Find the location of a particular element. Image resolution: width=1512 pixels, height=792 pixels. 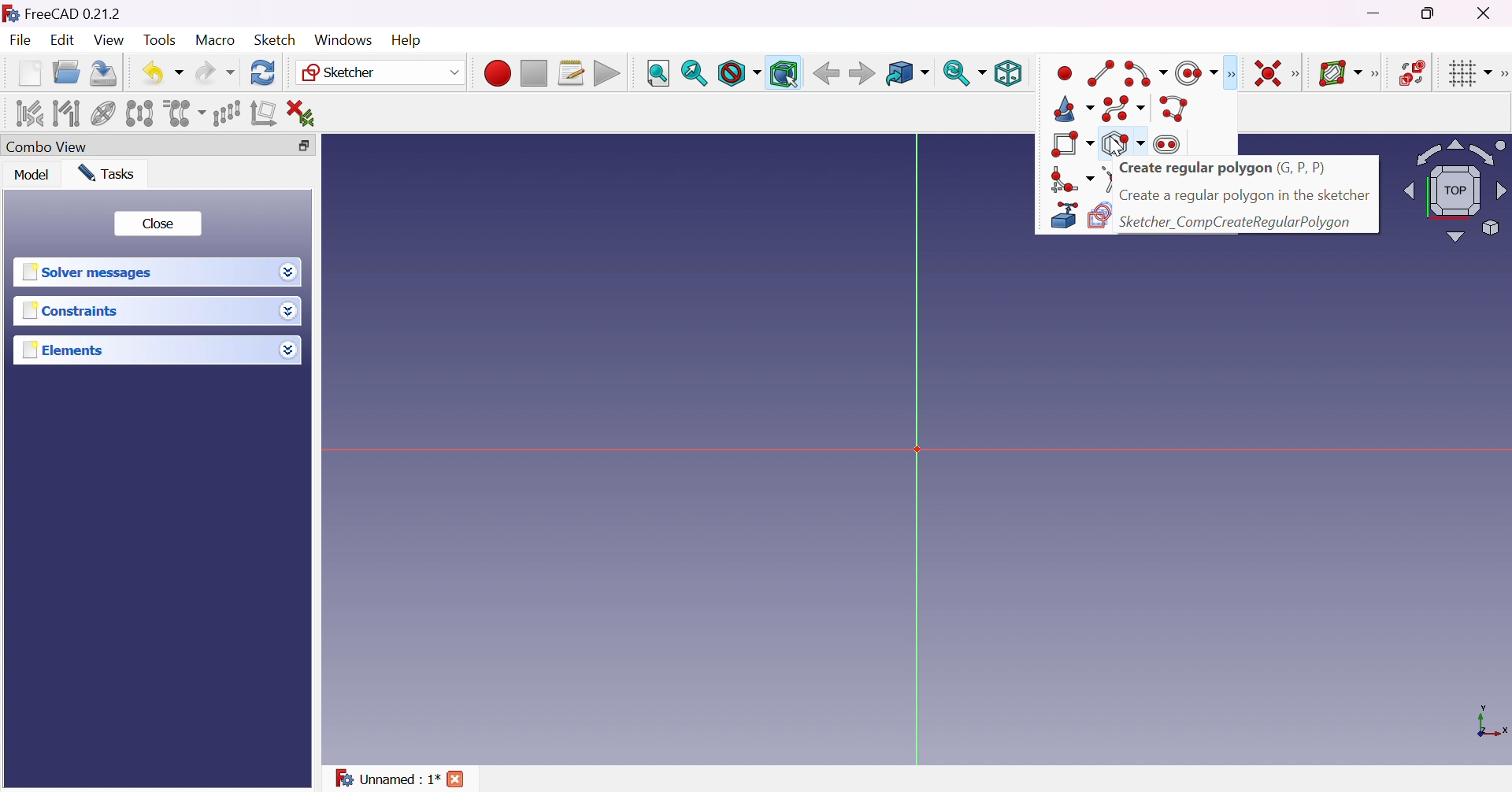

Create rectangle is located at coordinates (1073, 144).